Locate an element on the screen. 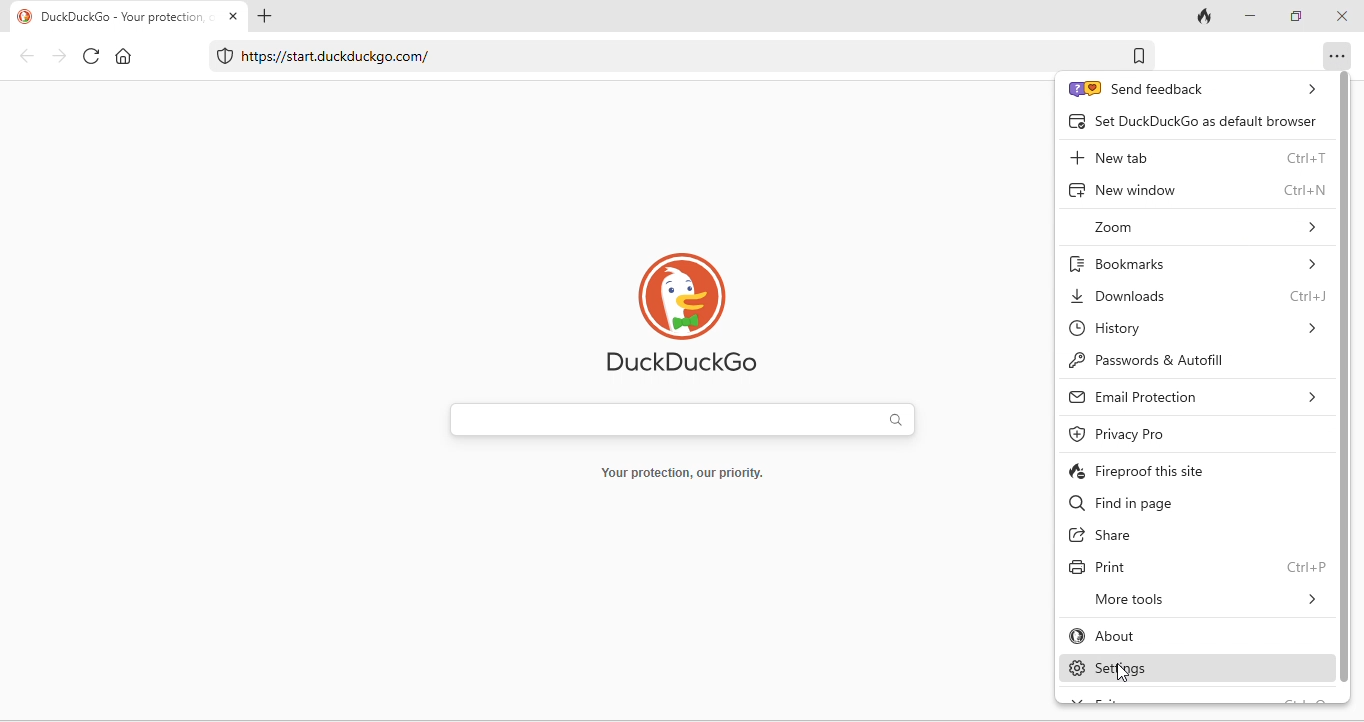  fireproof this site is located at coordinates (1193, 473).